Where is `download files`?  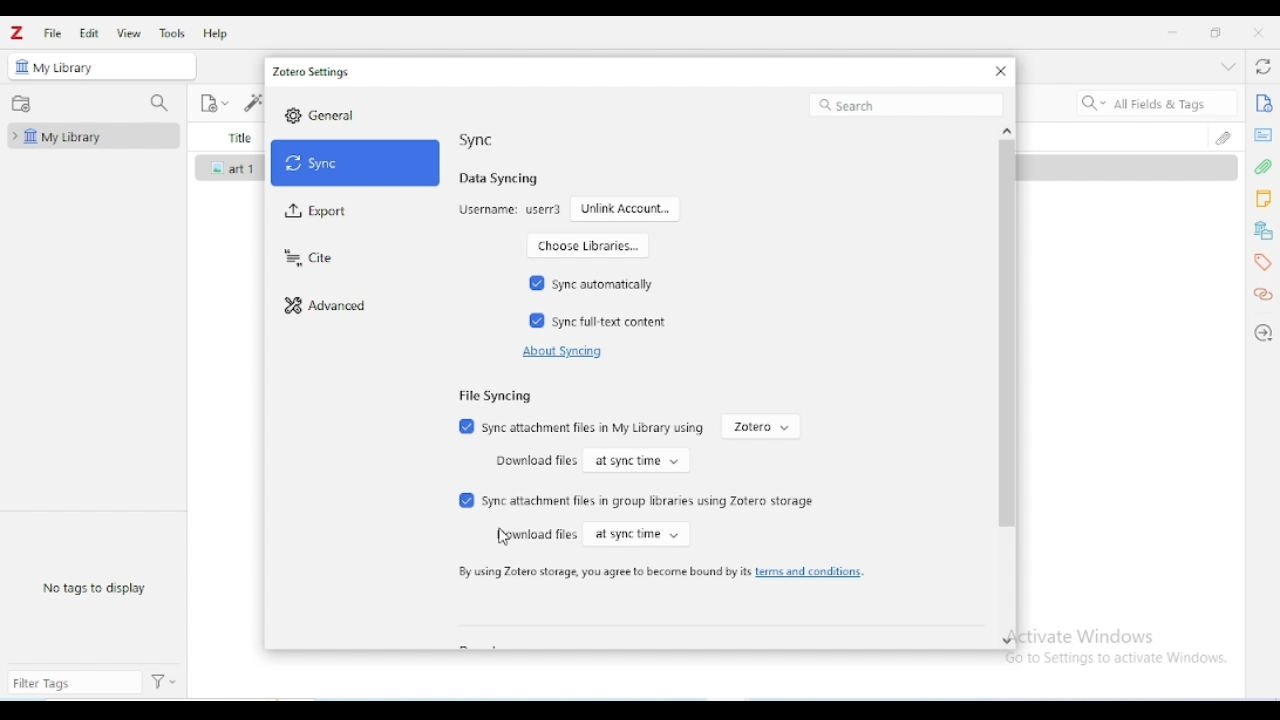
download files is located at coordinates (536, 534).